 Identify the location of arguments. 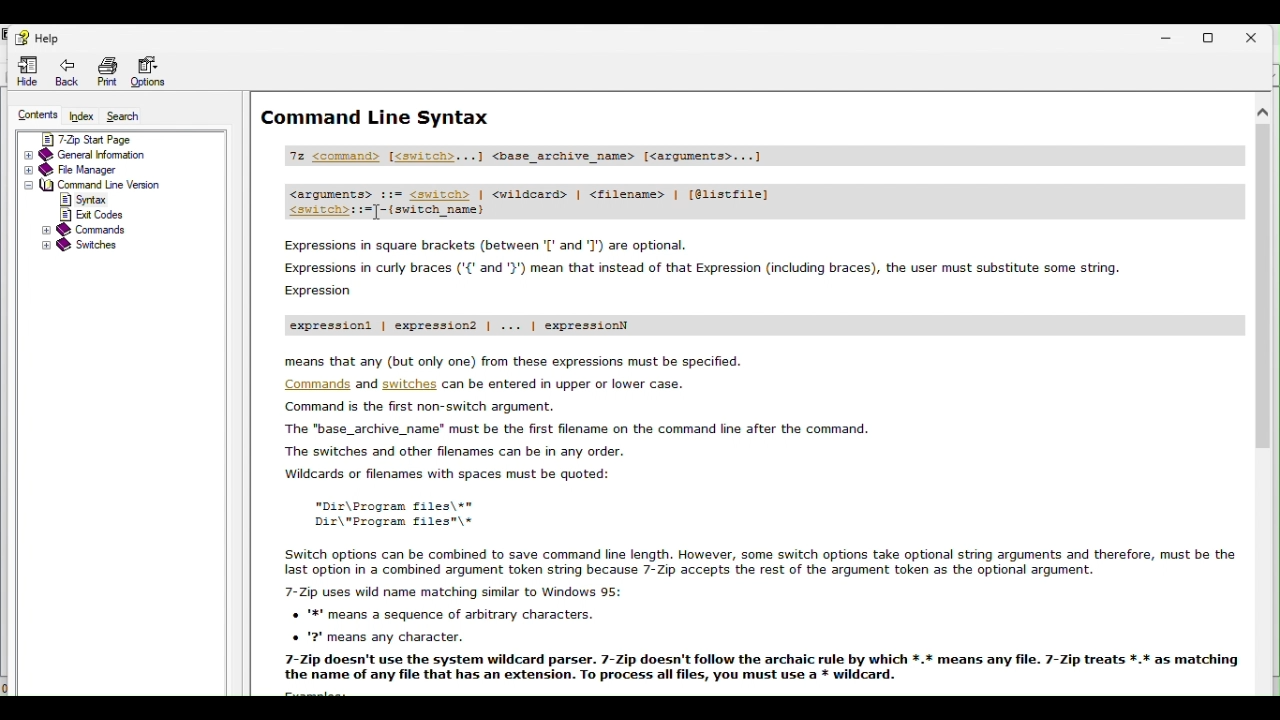
(344, 196).